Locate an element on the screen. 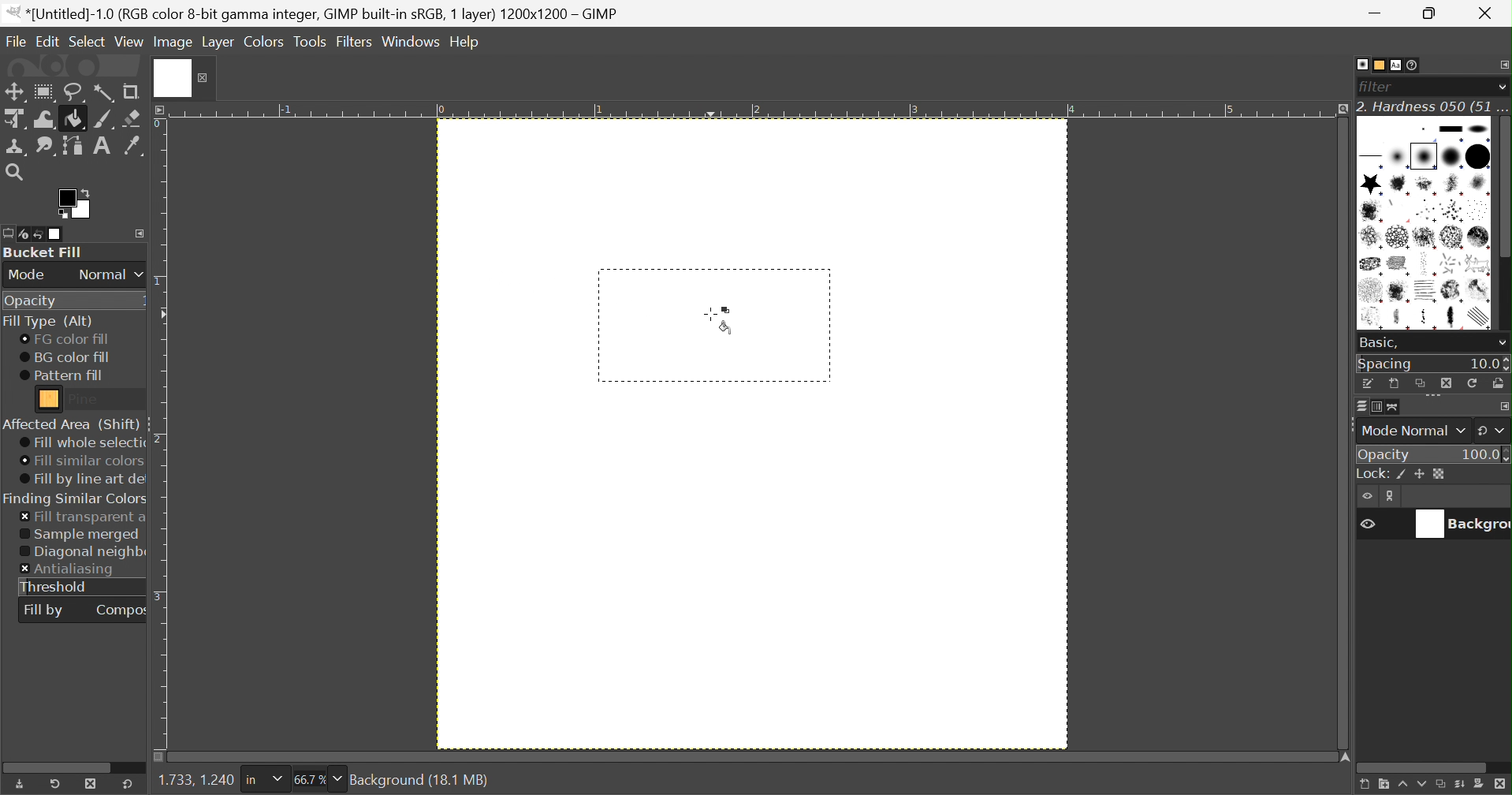 This screenshot has width=1512, height=795. Navigate the image display is located at coordinates (1346, 757).